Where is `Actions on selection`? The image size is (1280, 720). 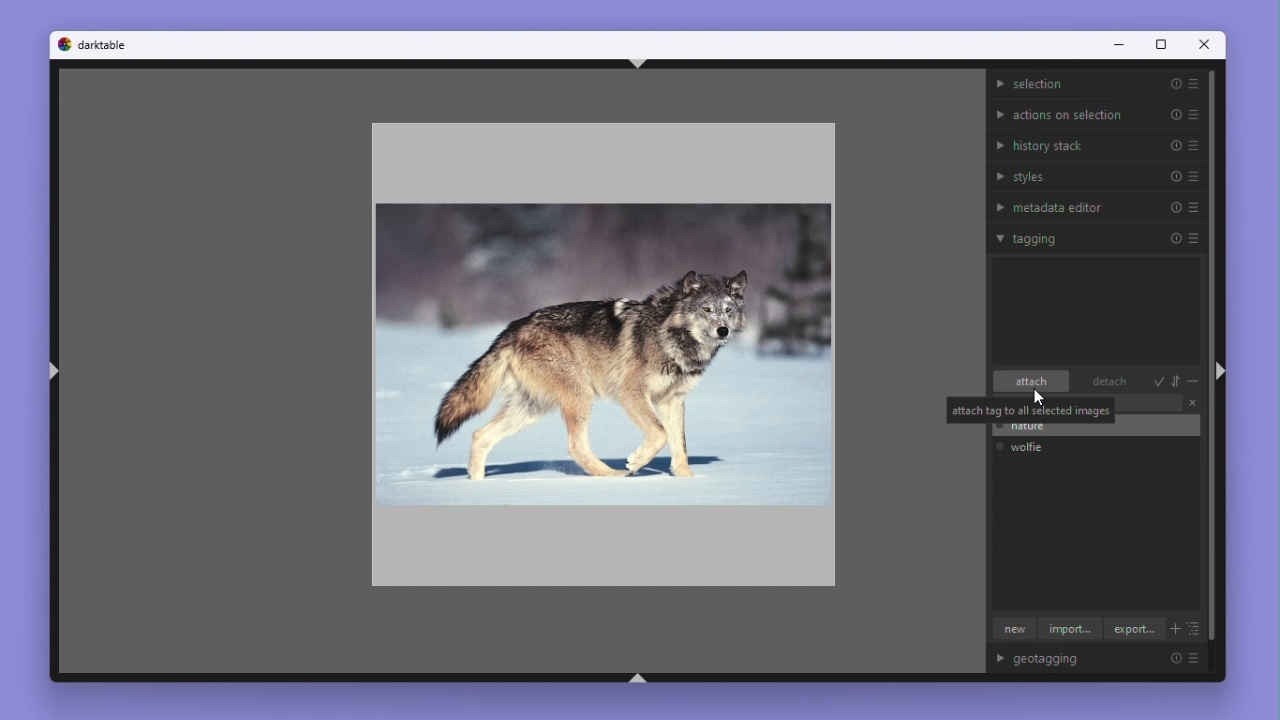 Actions on selection is located at coordinates (1096, 112).